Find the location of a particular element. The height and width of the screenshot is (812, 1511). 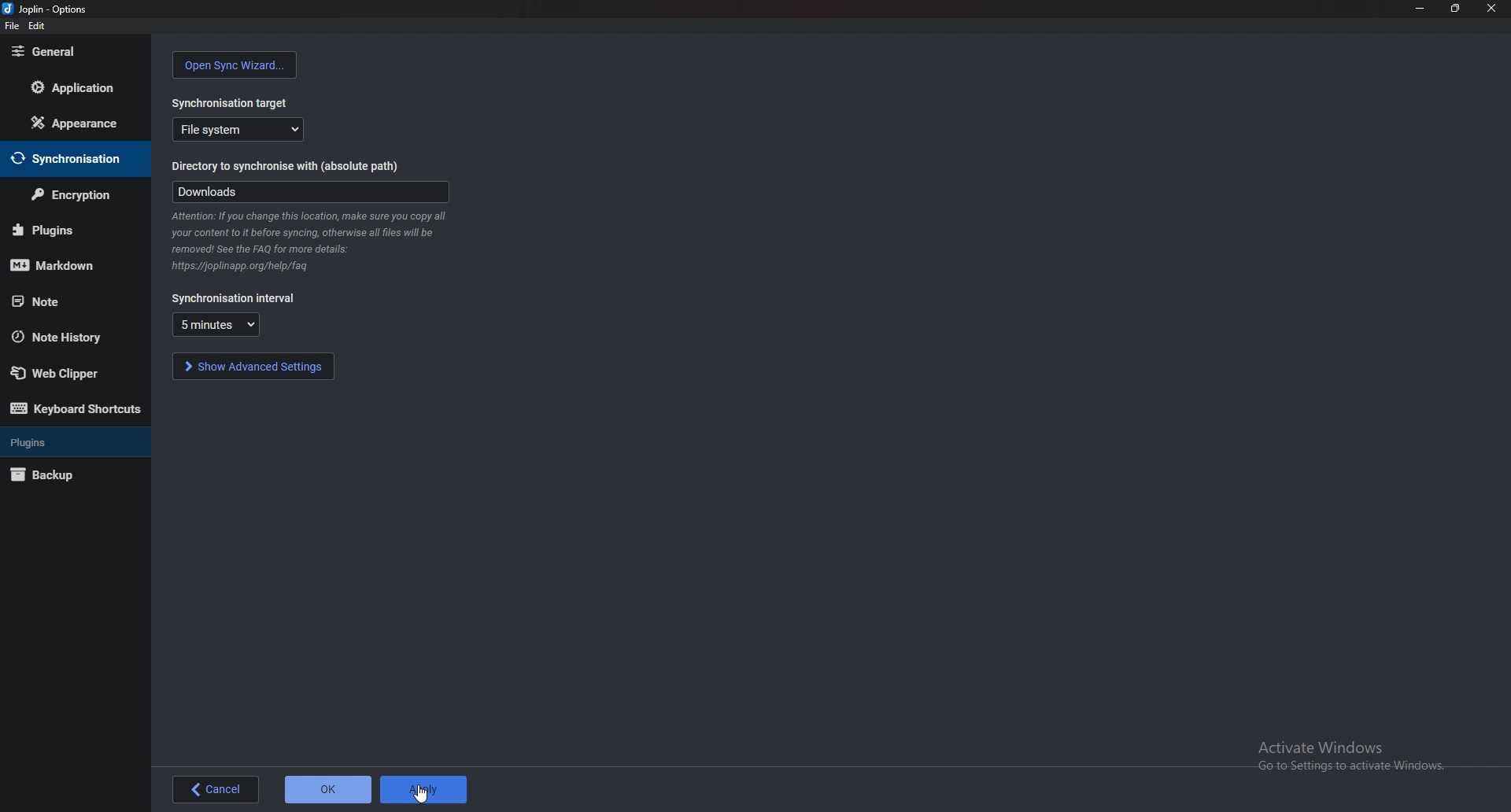

web clipper is located at coordinates (68, 372).